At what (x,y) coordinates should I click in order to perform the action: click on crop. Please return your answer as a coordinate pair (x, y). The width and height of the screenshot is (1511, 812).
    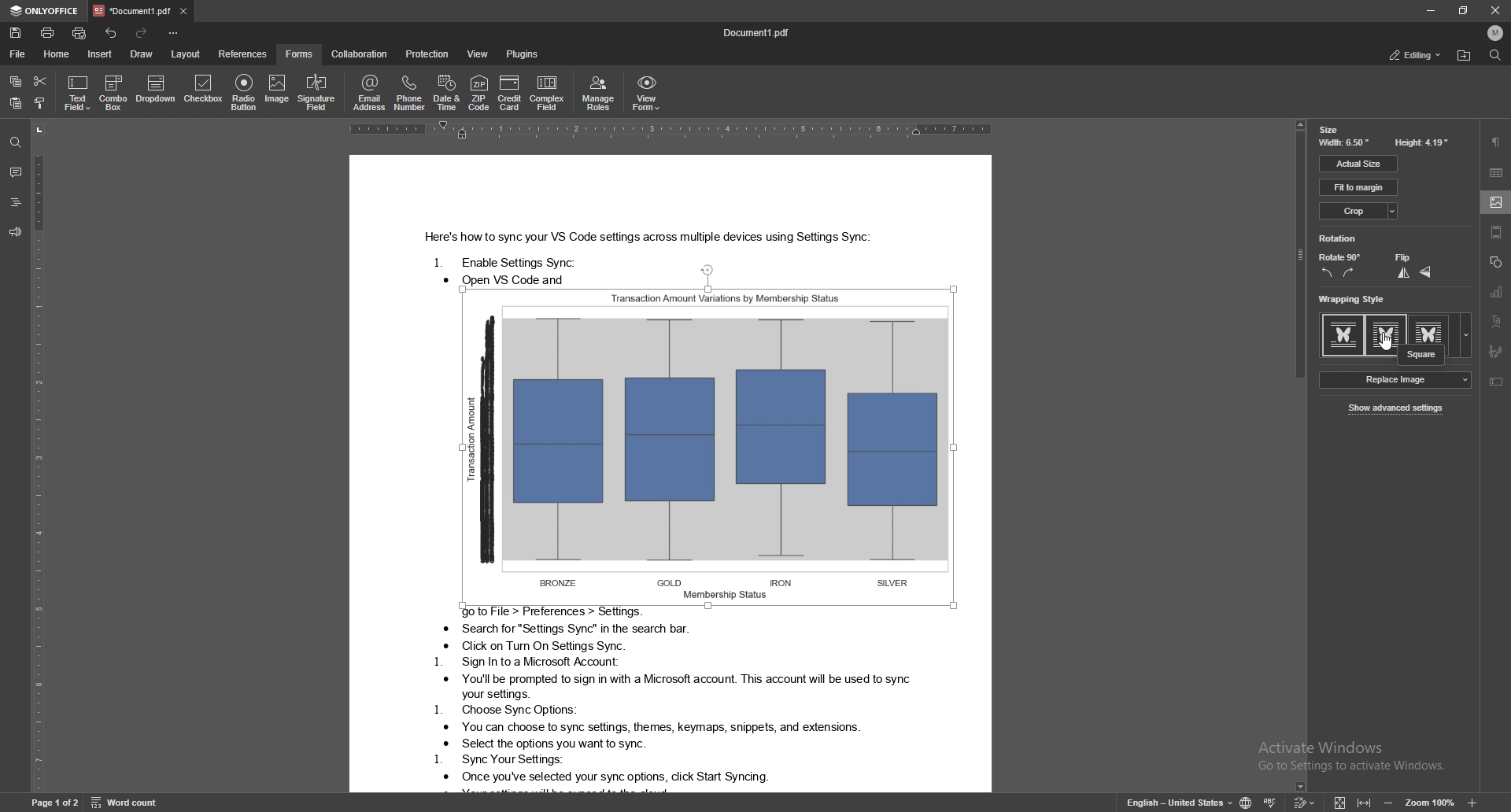
    Looking at the image, I should click on (1361, 211).